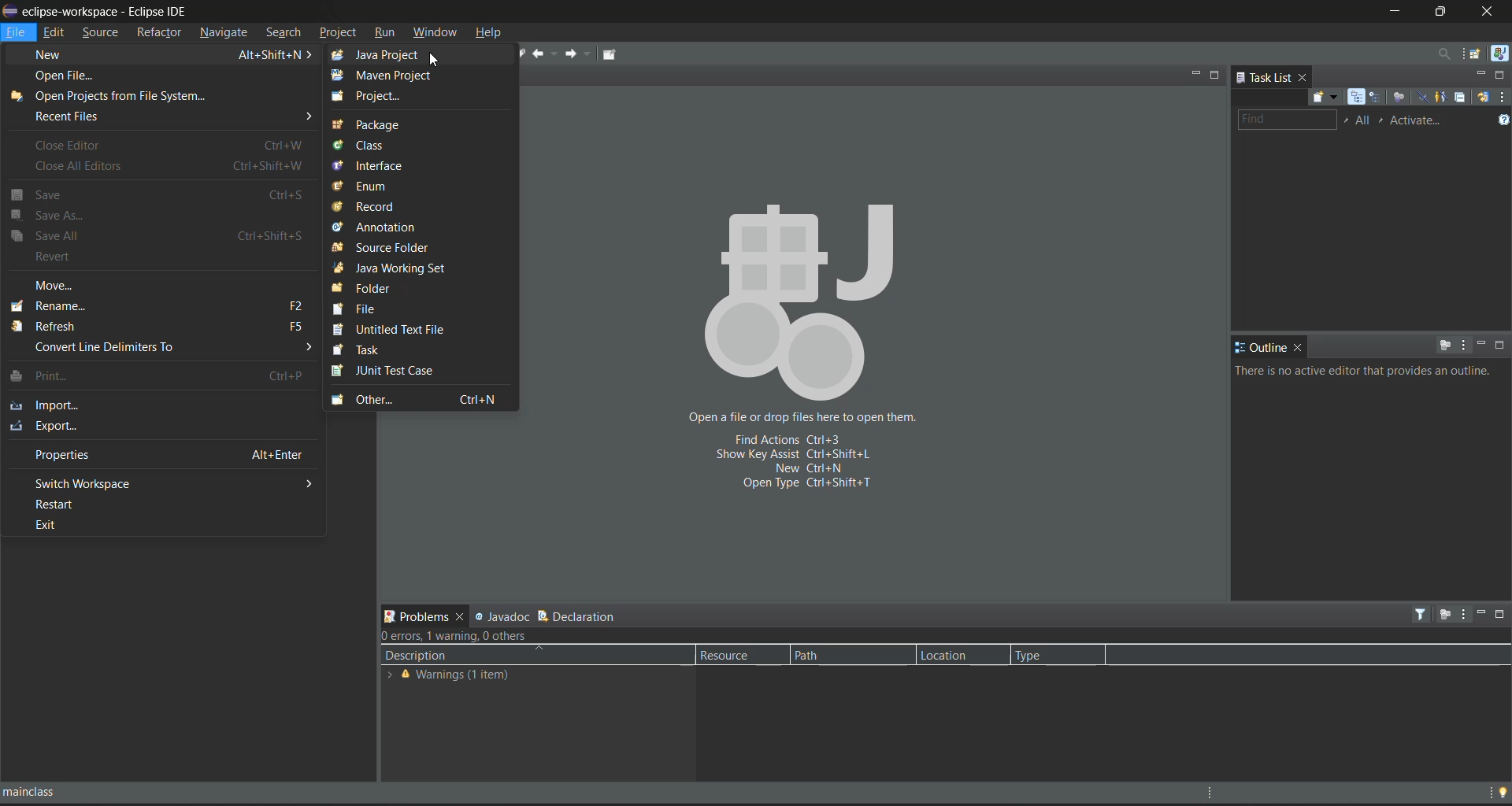 This screenshot has height=806, width=1512. I want to click on scheduled, so click(1376, 97).